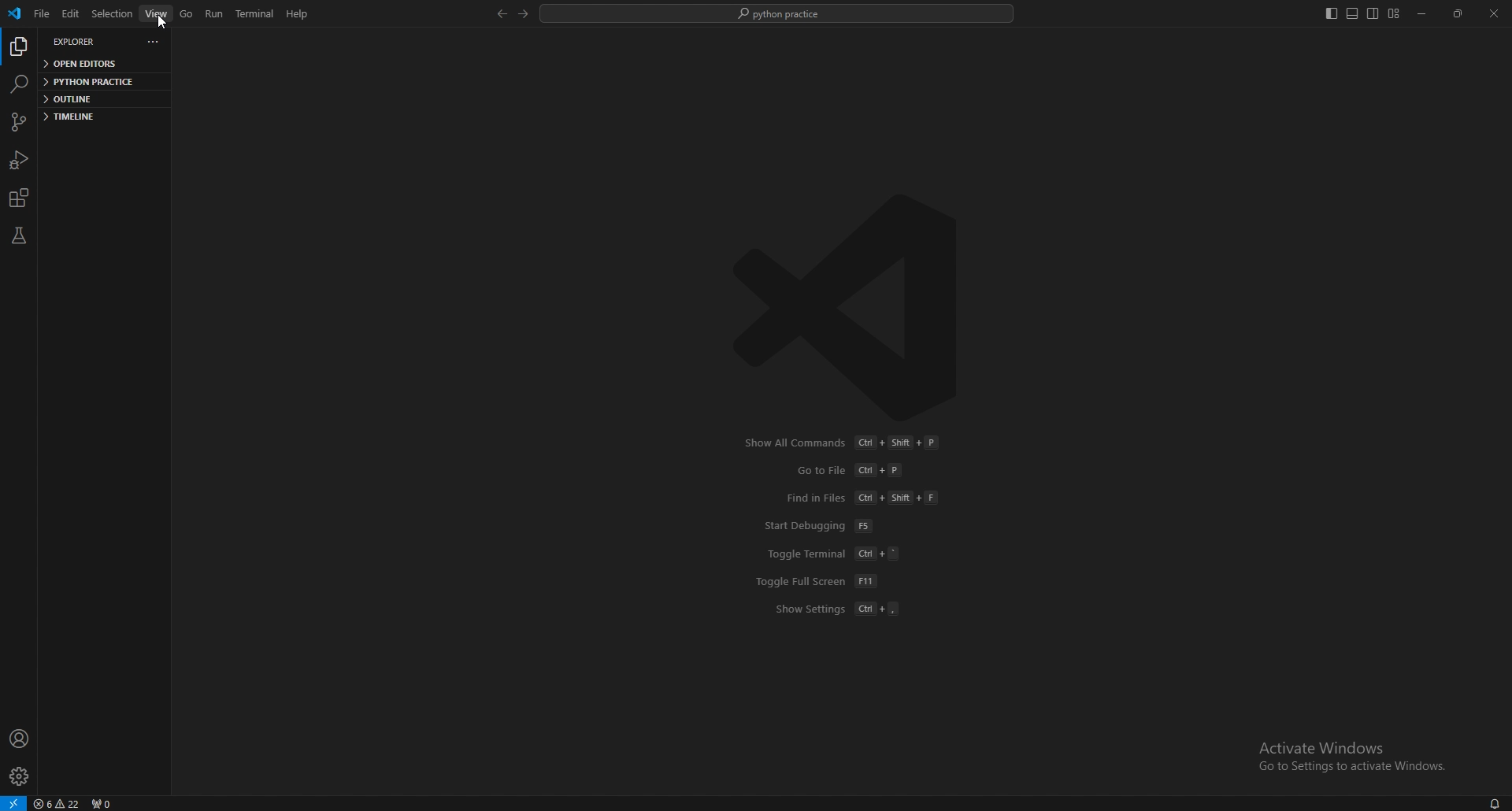 This screenshot has height=811, width=1512. I want to click on selection, so click(112, 13).